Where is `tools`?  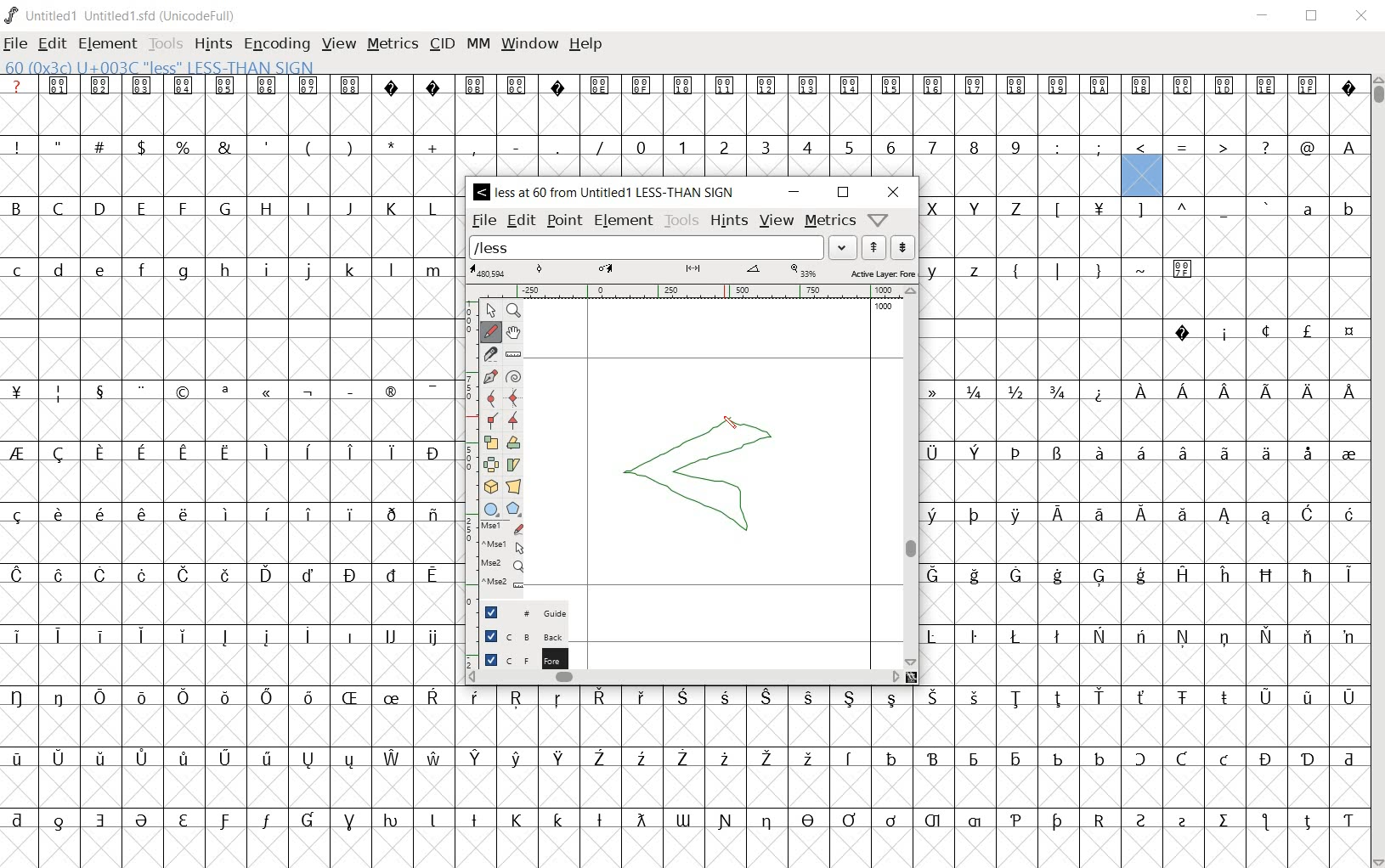 tools is located at coordinates (681, 222).